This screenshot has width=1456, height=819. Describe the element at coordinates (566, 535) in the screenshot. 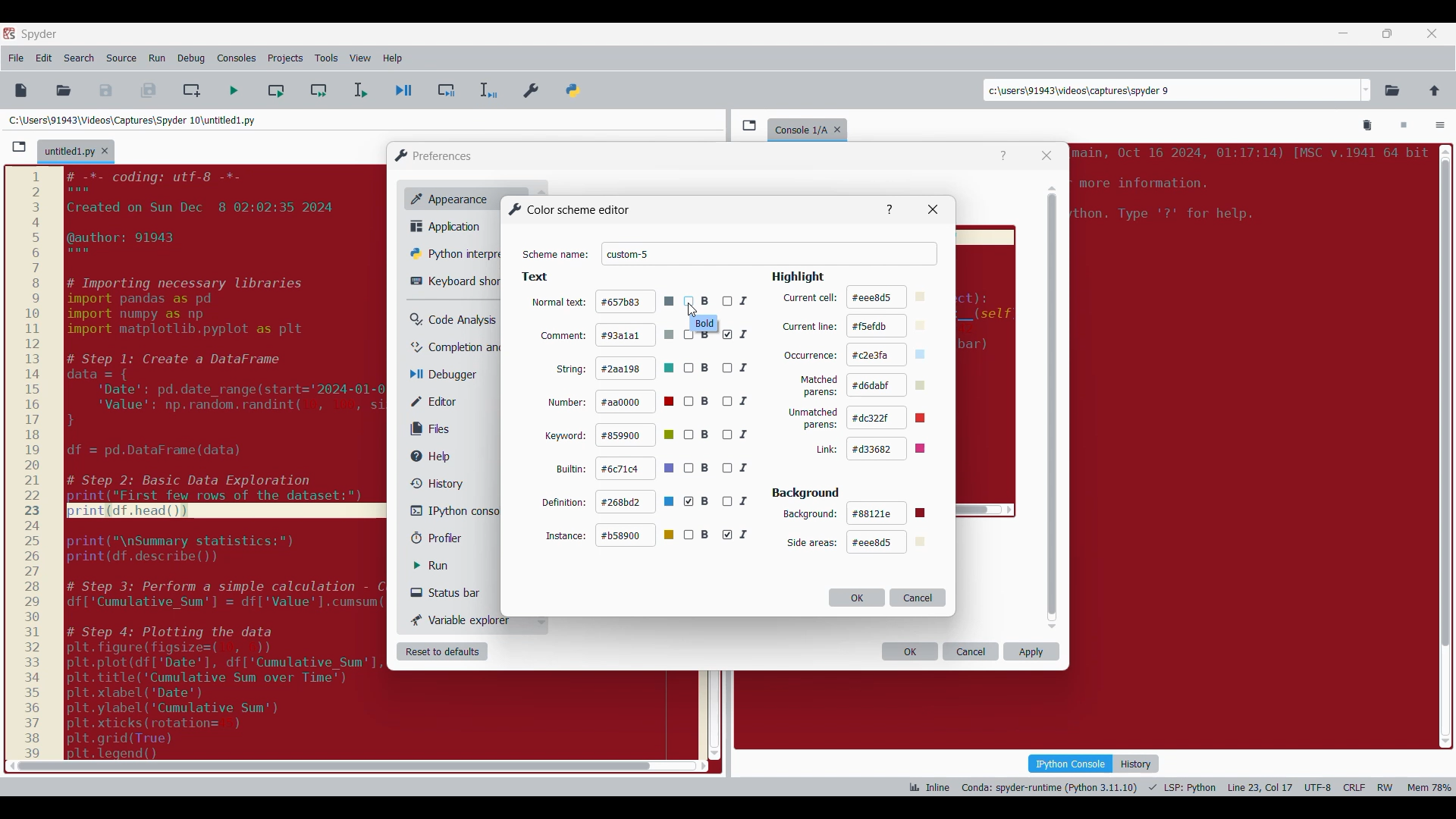

I see `instance` at that location.